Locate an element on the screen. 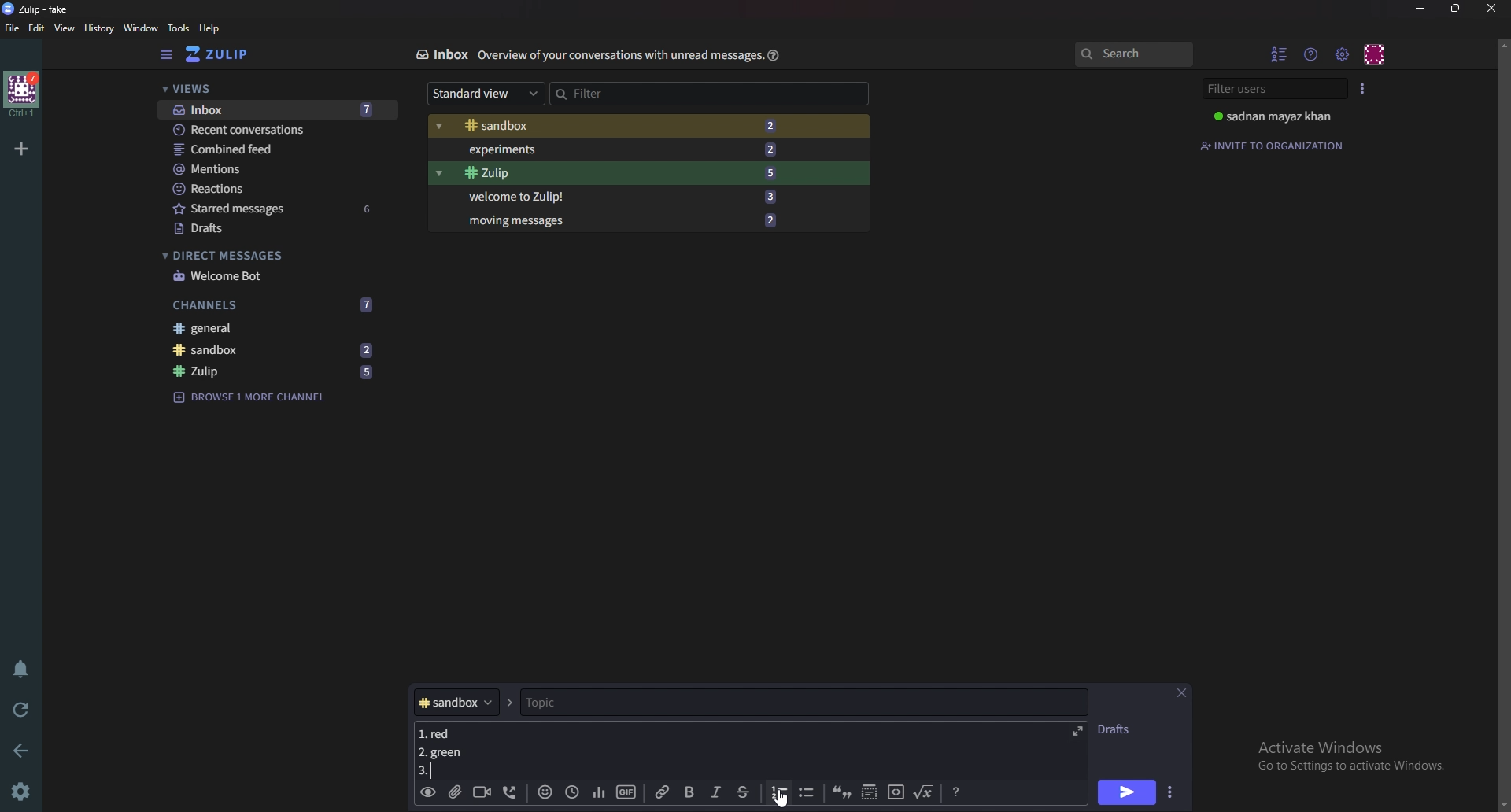  close message is located at coordinates (1182, 692).